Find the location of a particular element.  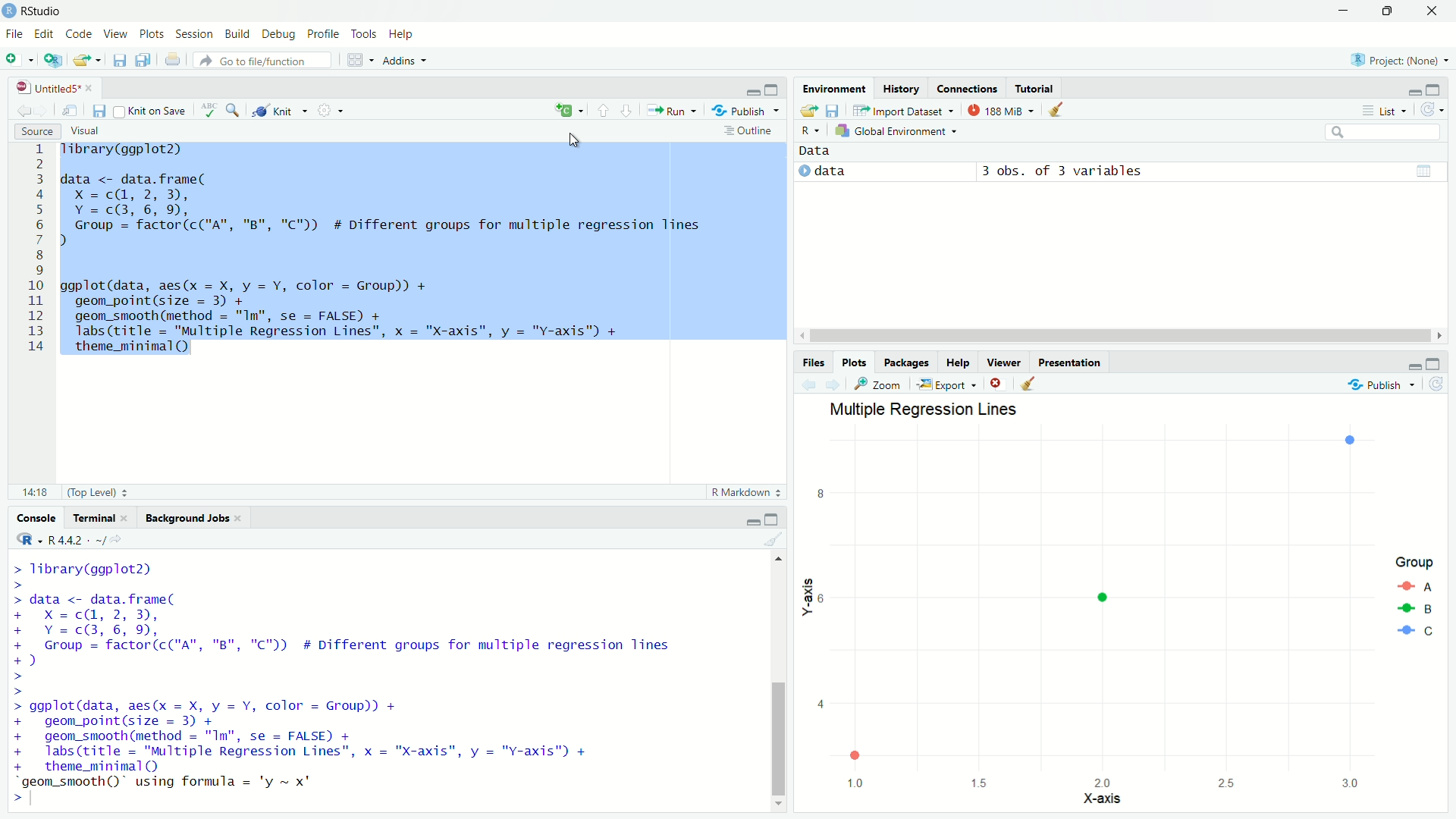

+ R4.4.2 is located at coordinates (65, 539).